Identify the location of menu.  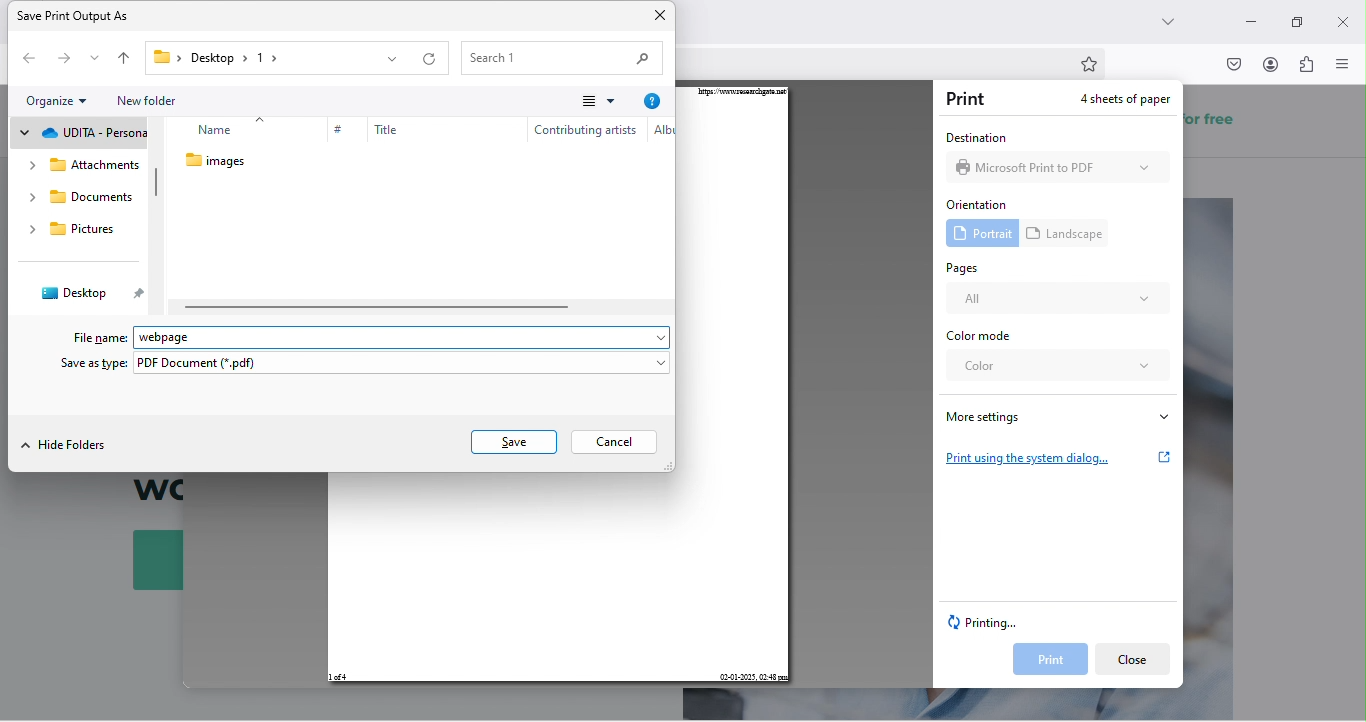
(1346, 64).